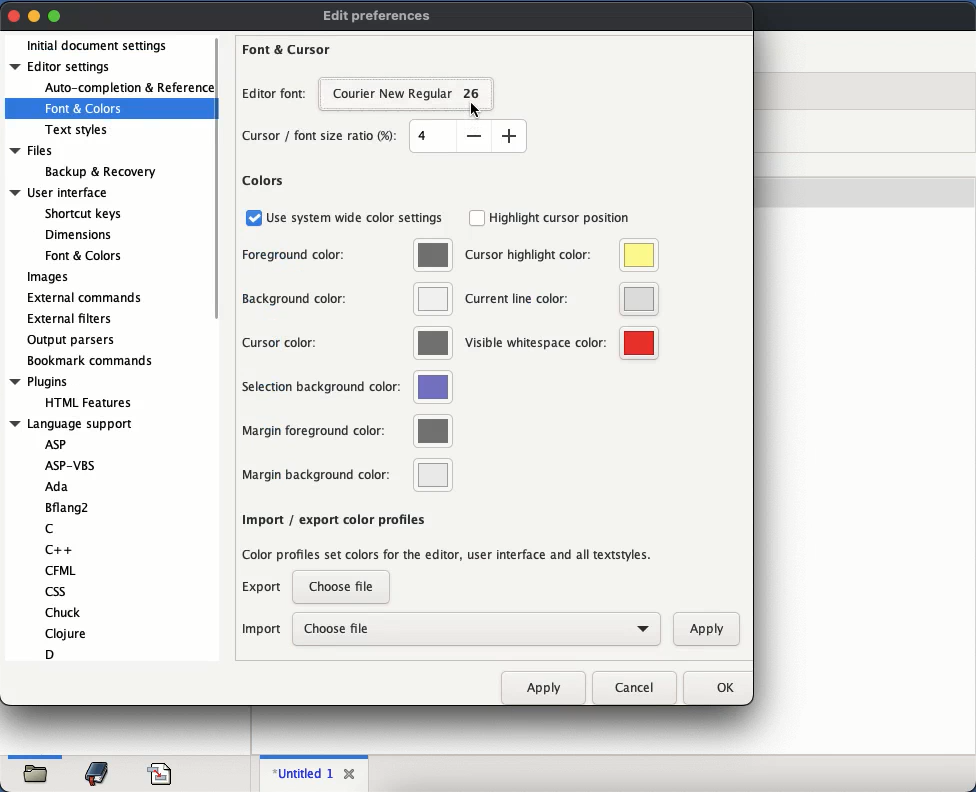 The width and height of the screenshot is (976, 792). What do you see at coordinates (53, 653) in the screenshot?
I see `D` at bounding box center [53, 653].